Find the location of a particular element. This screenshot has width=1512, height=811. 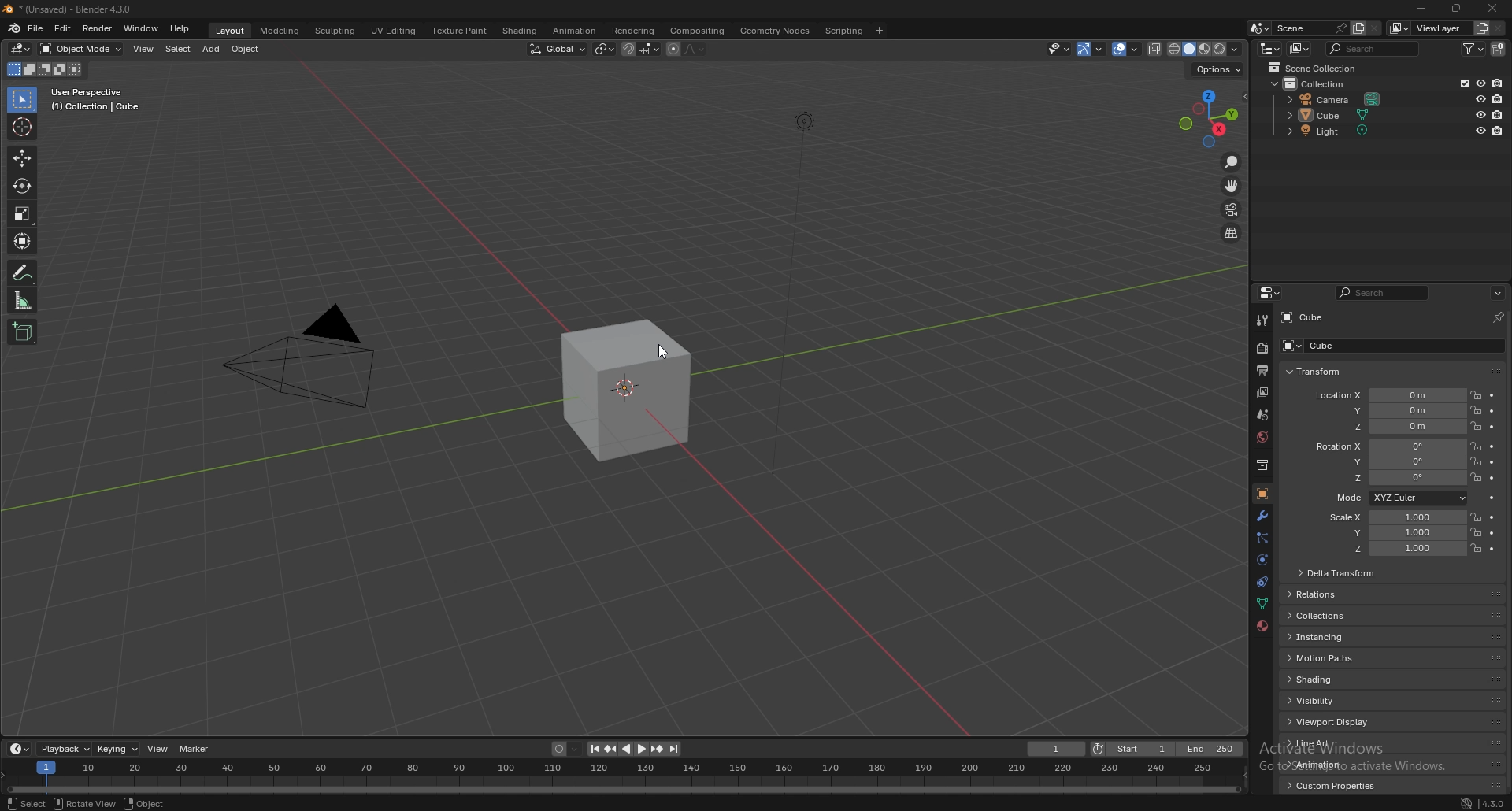

hide in viewport is located at coordinates (1480, 83).